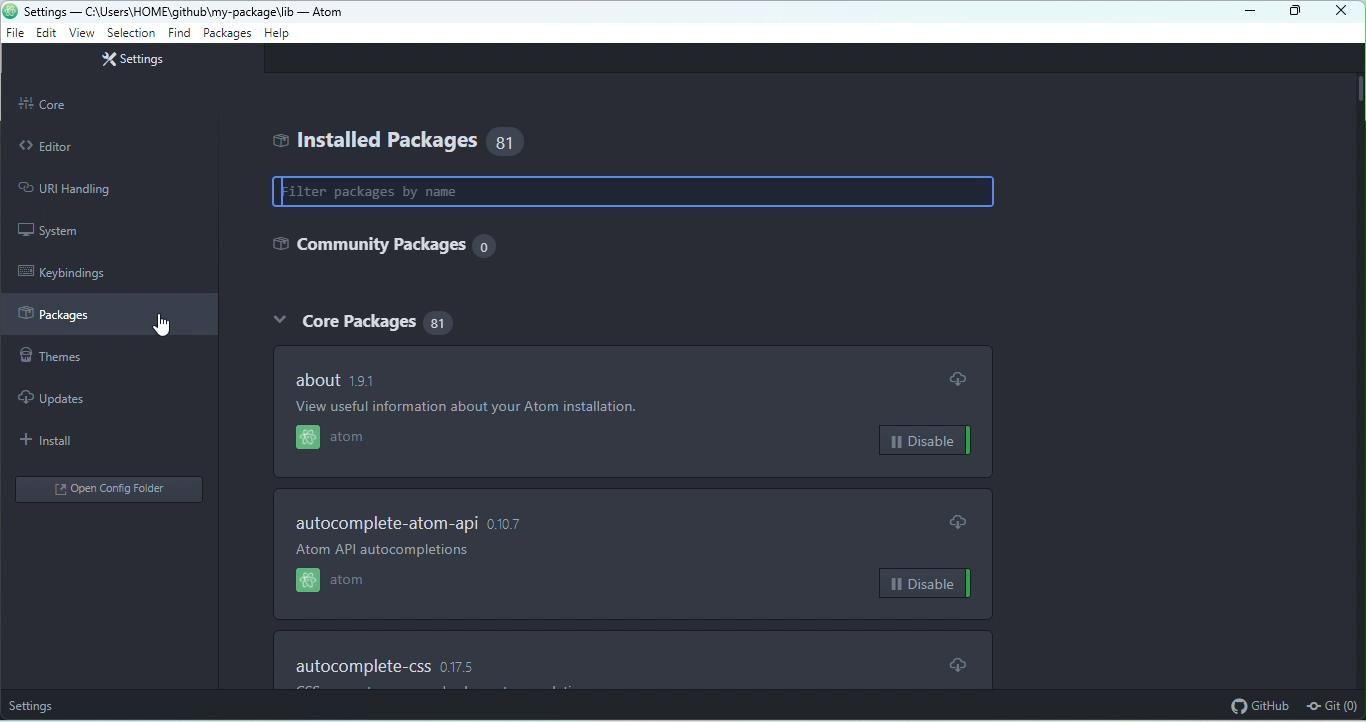 The image size is (1366, 722). Describe the element at coordinates (308, 439) in the screenshot. I see `atom logo` at that location.